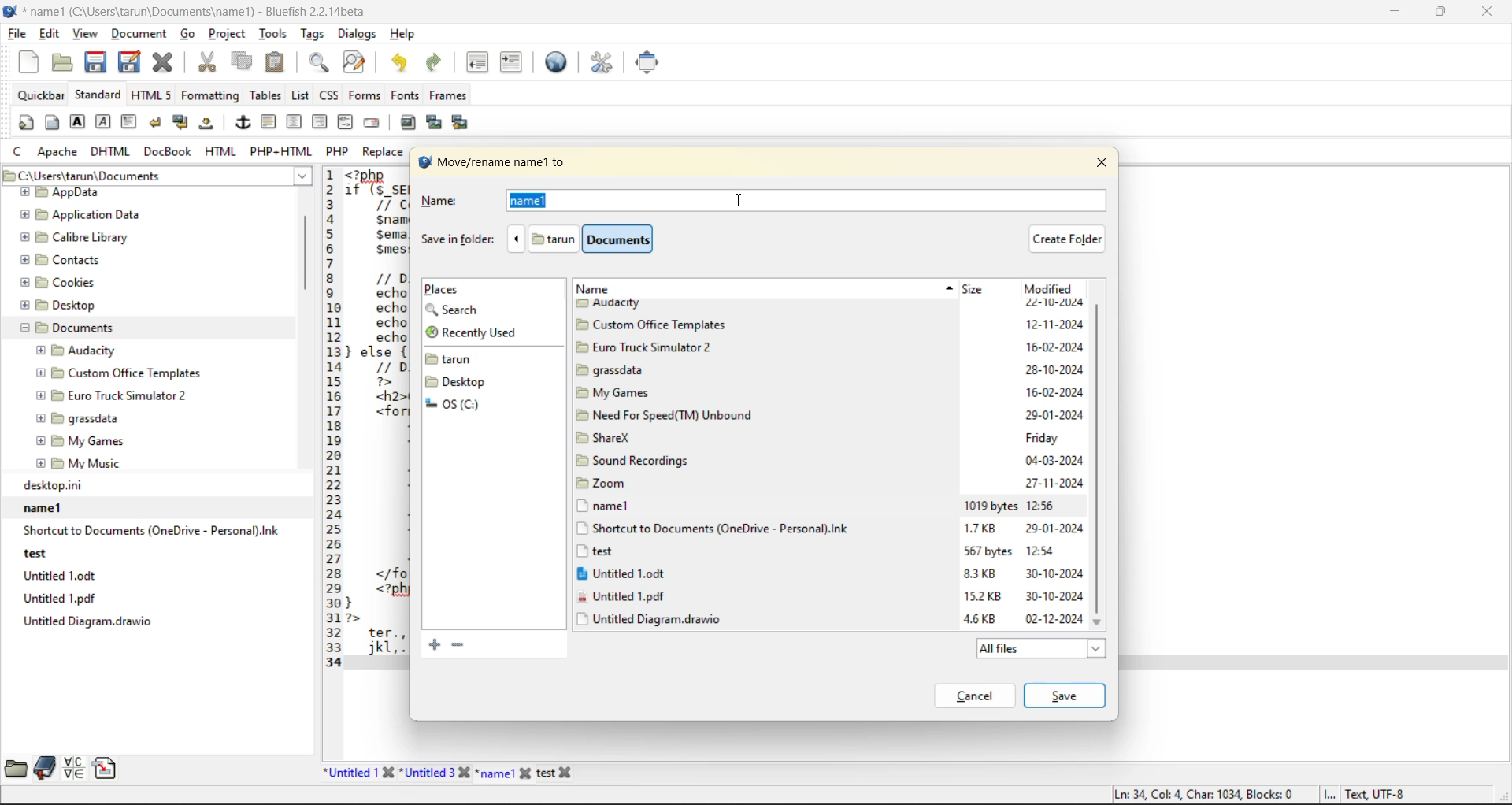  What do you see at coordinates (182, 124) in the screenshot?
I see `break and clear` at bounding box center [182, 124].